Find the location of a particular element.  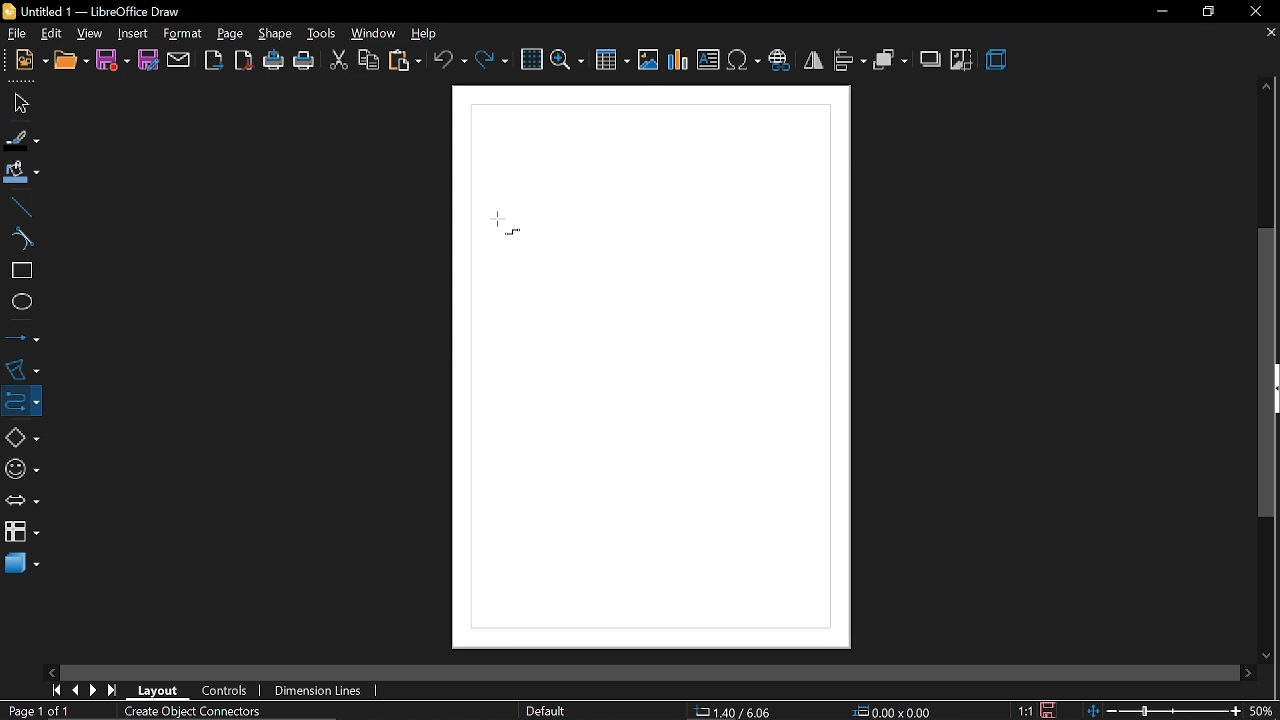

ellipse is located at coordinates (18, 300).